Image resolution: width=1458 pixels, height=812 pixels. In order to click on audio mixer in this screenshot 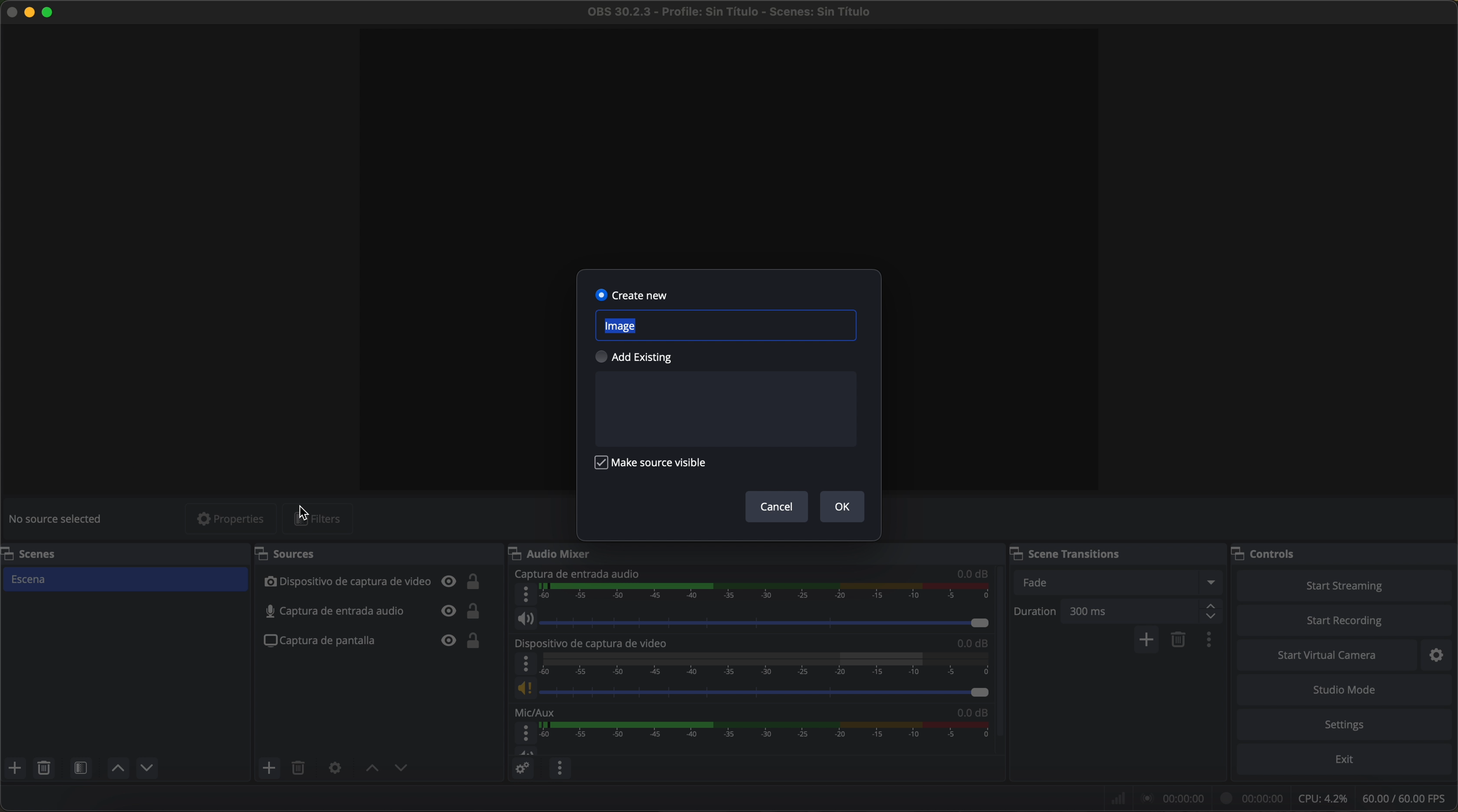, I will do `click(556, 553)`.